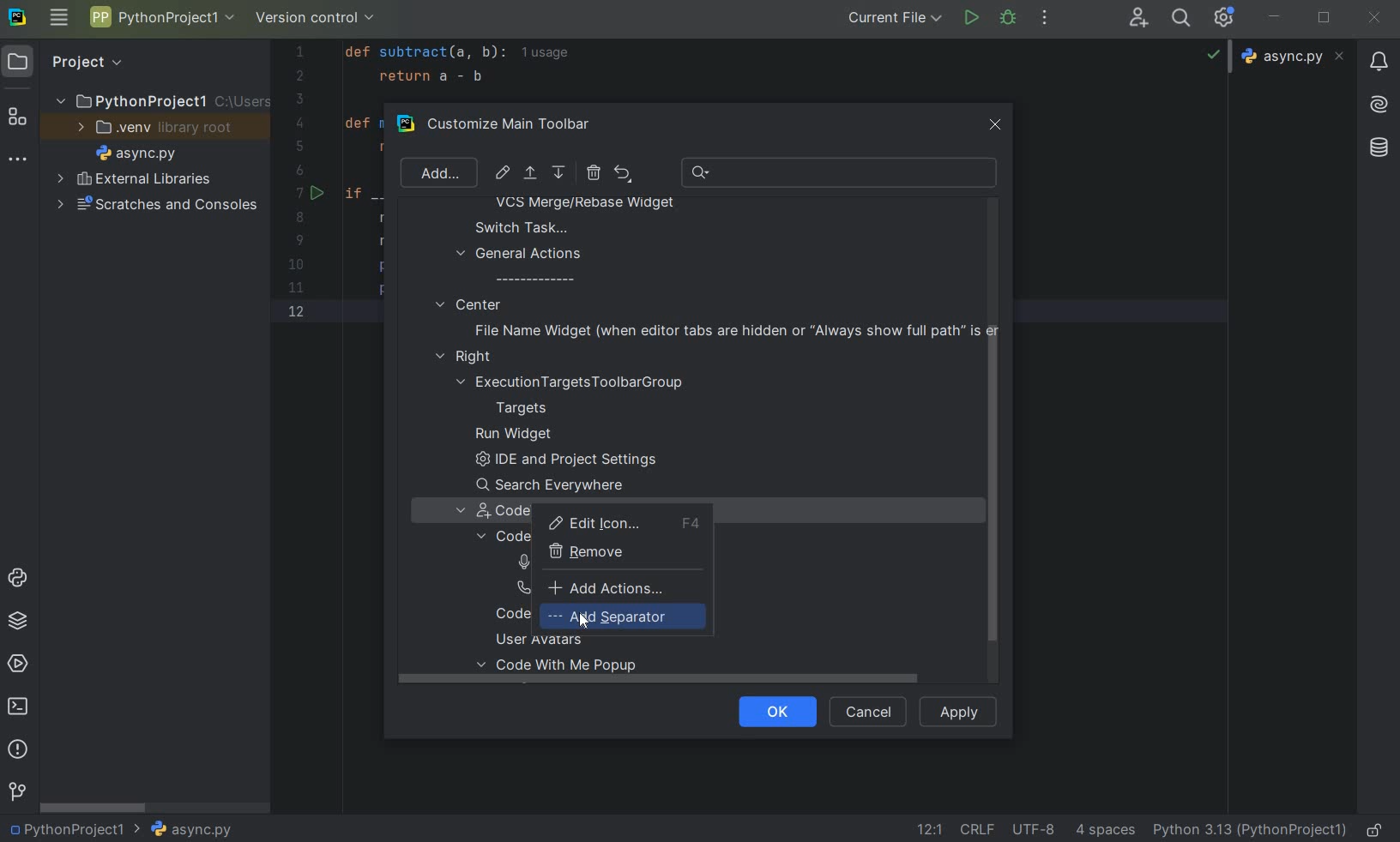 The image size is (1400, 842). What do you see at coordinates (770, 710) in the screenshot?
I see `ok` at bounding box center [770, 710].